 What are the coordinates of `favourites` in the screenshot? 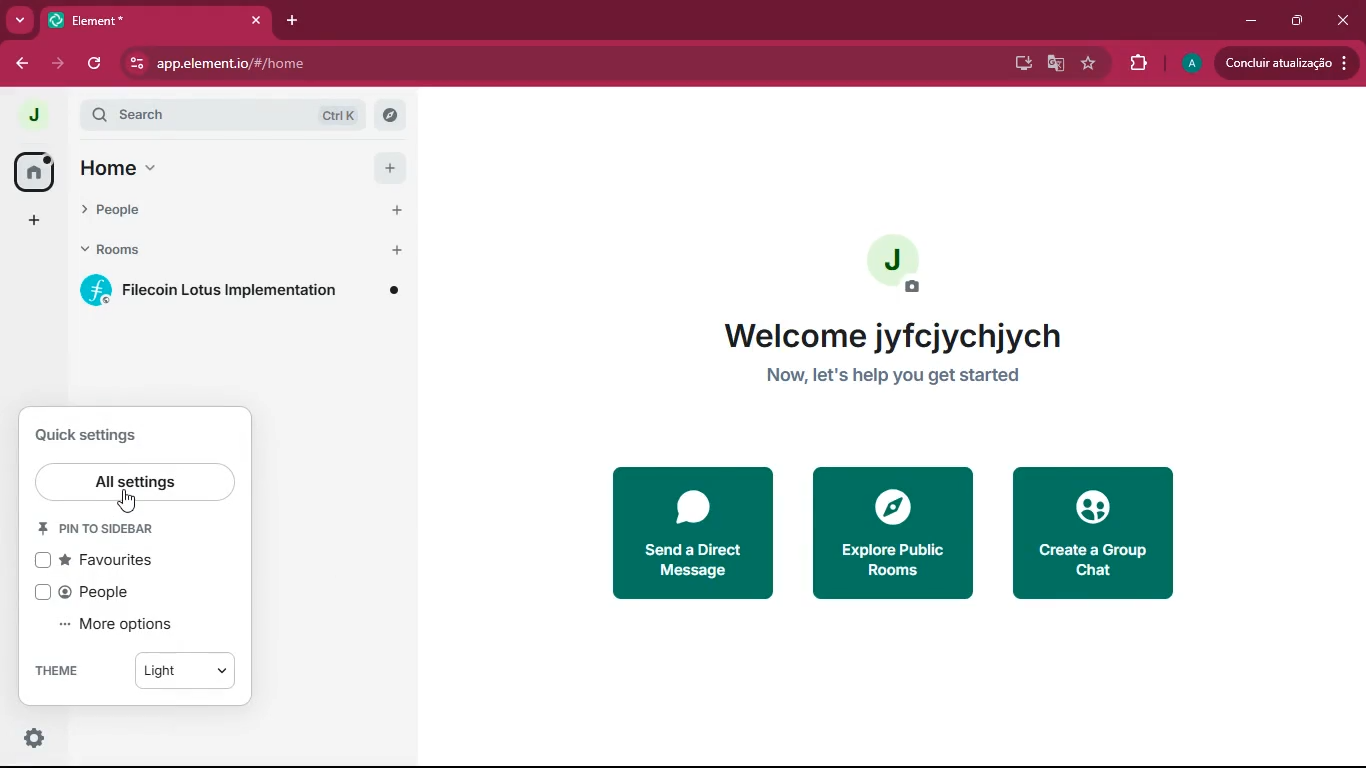 It's located at (114, 558).